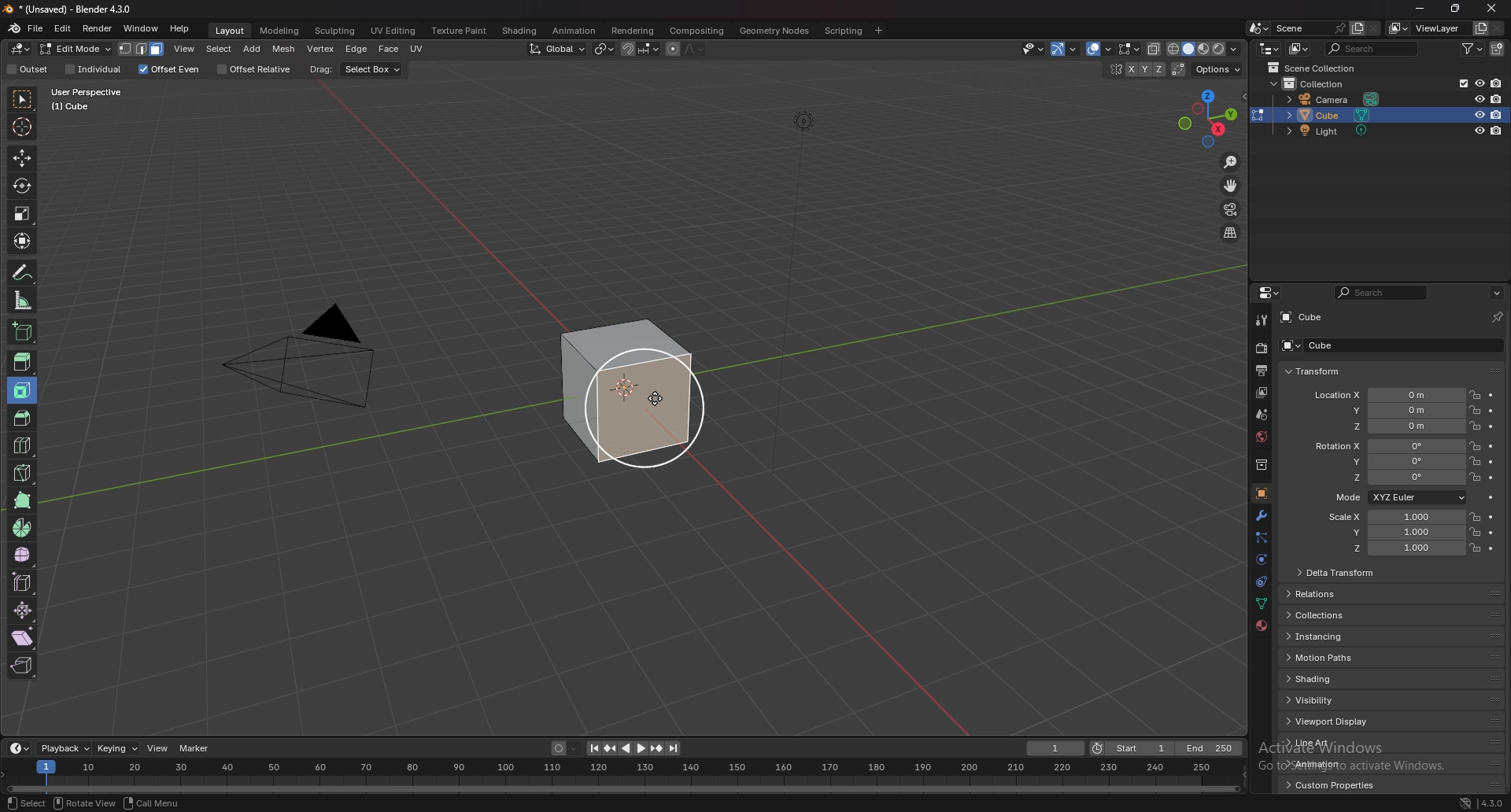  I want to click on light, so click(1332, 131).